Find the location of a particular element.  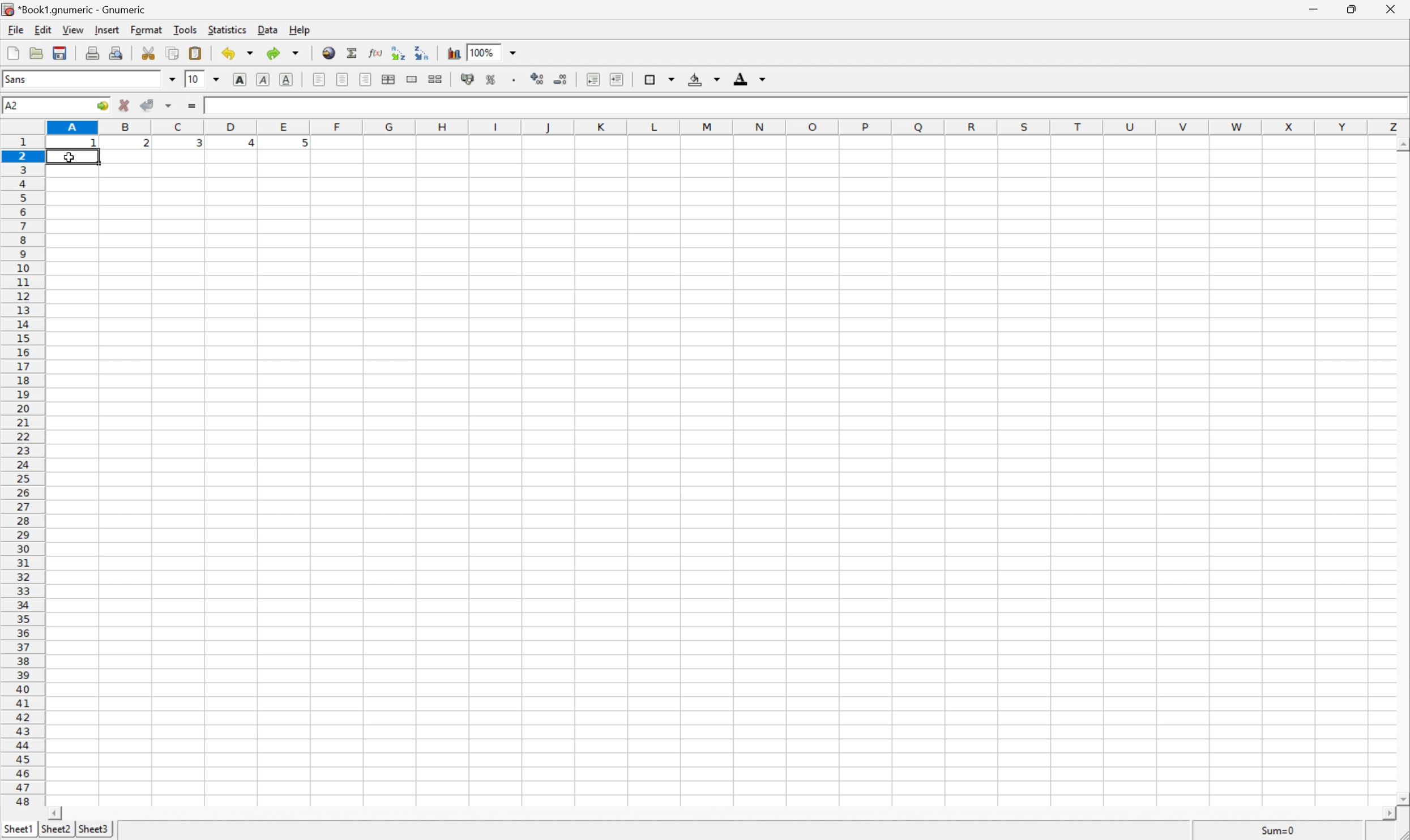

edit is located at coordinates (41, 29).